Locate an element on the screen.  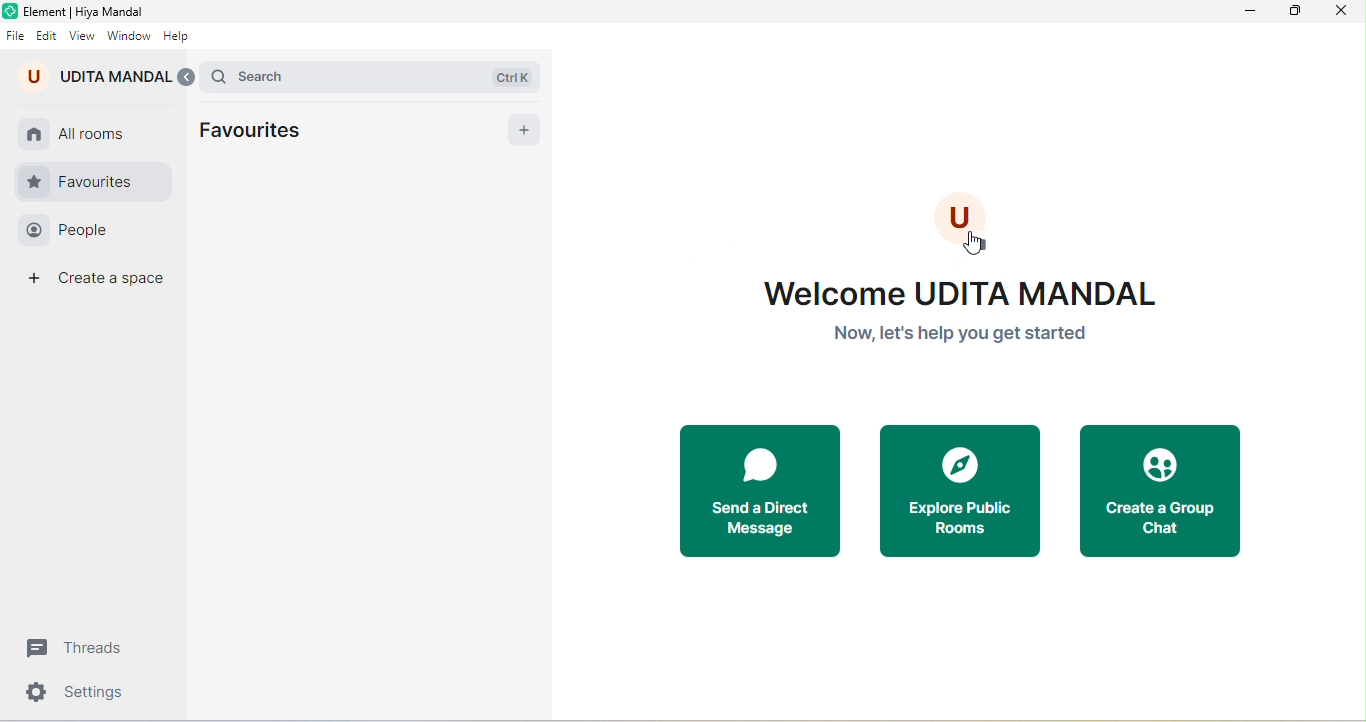
favourites is located at coordinates (93, 181).